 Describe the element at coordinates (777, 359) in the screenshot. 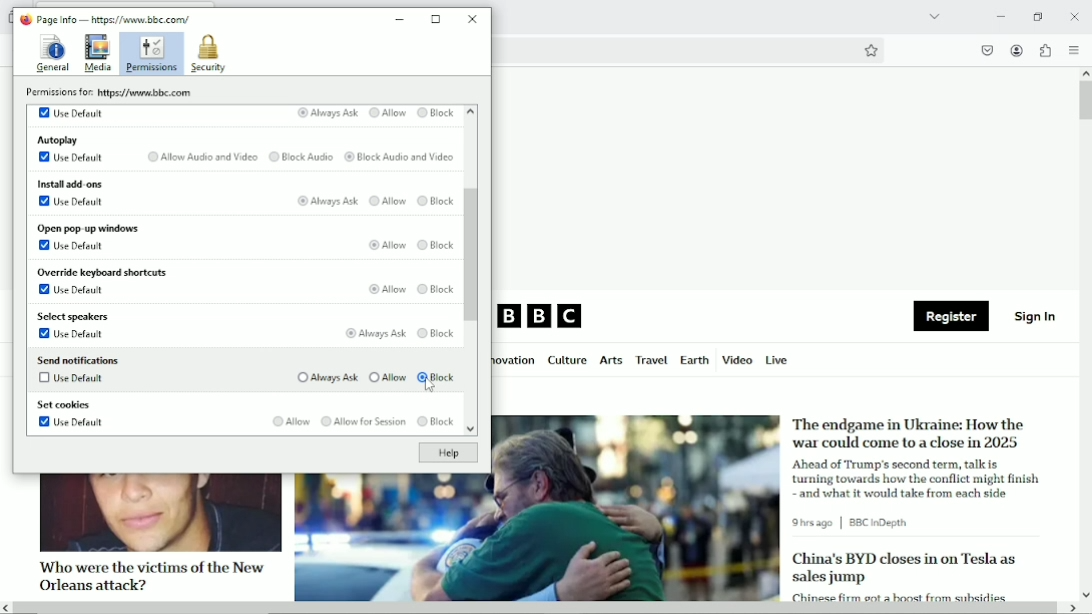

I see `Live` at that location.